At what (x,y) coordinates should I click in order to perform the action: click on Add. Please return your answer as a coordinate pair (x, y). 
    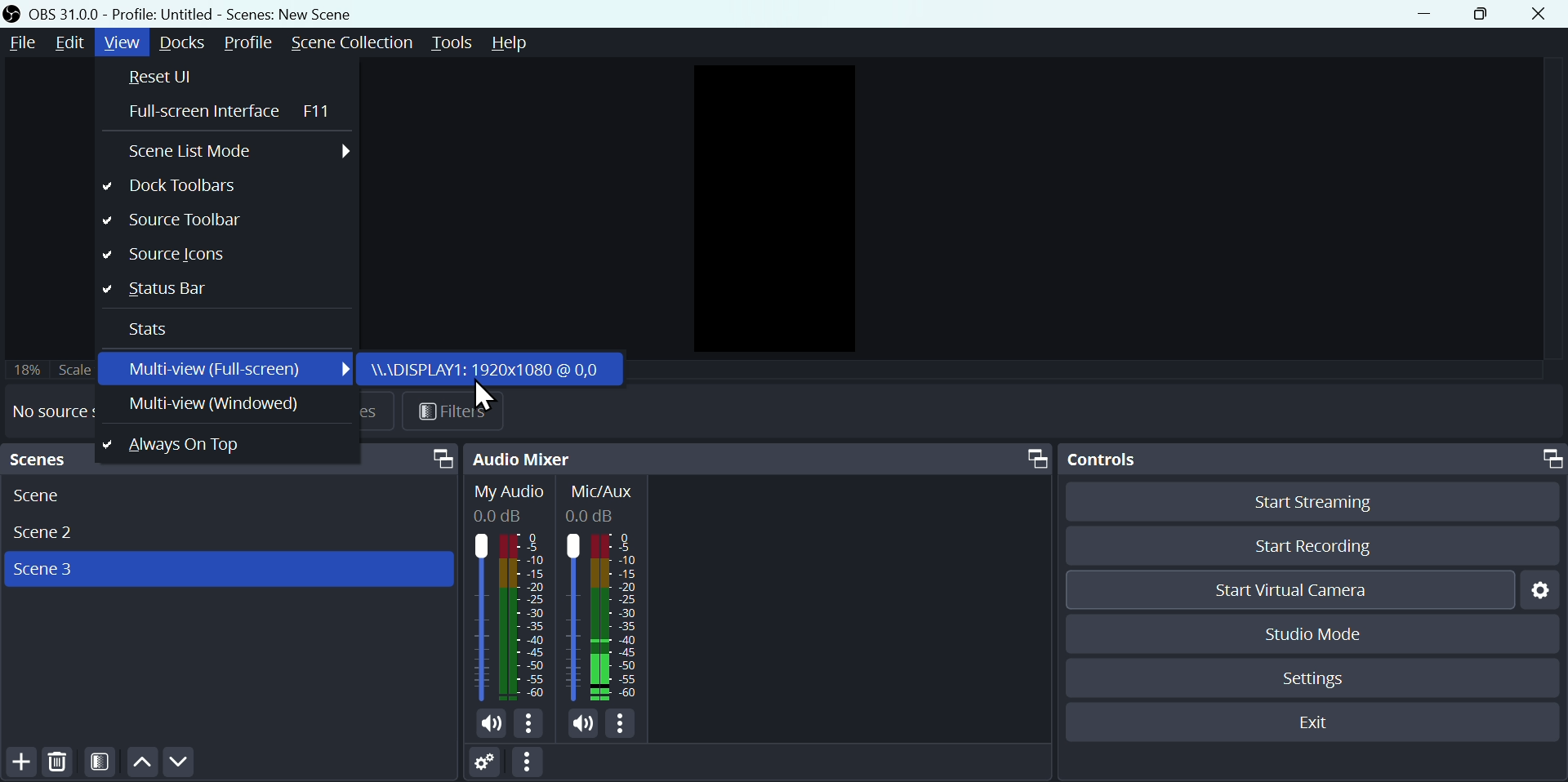
    Looking at the image, I should click on (18, 765).